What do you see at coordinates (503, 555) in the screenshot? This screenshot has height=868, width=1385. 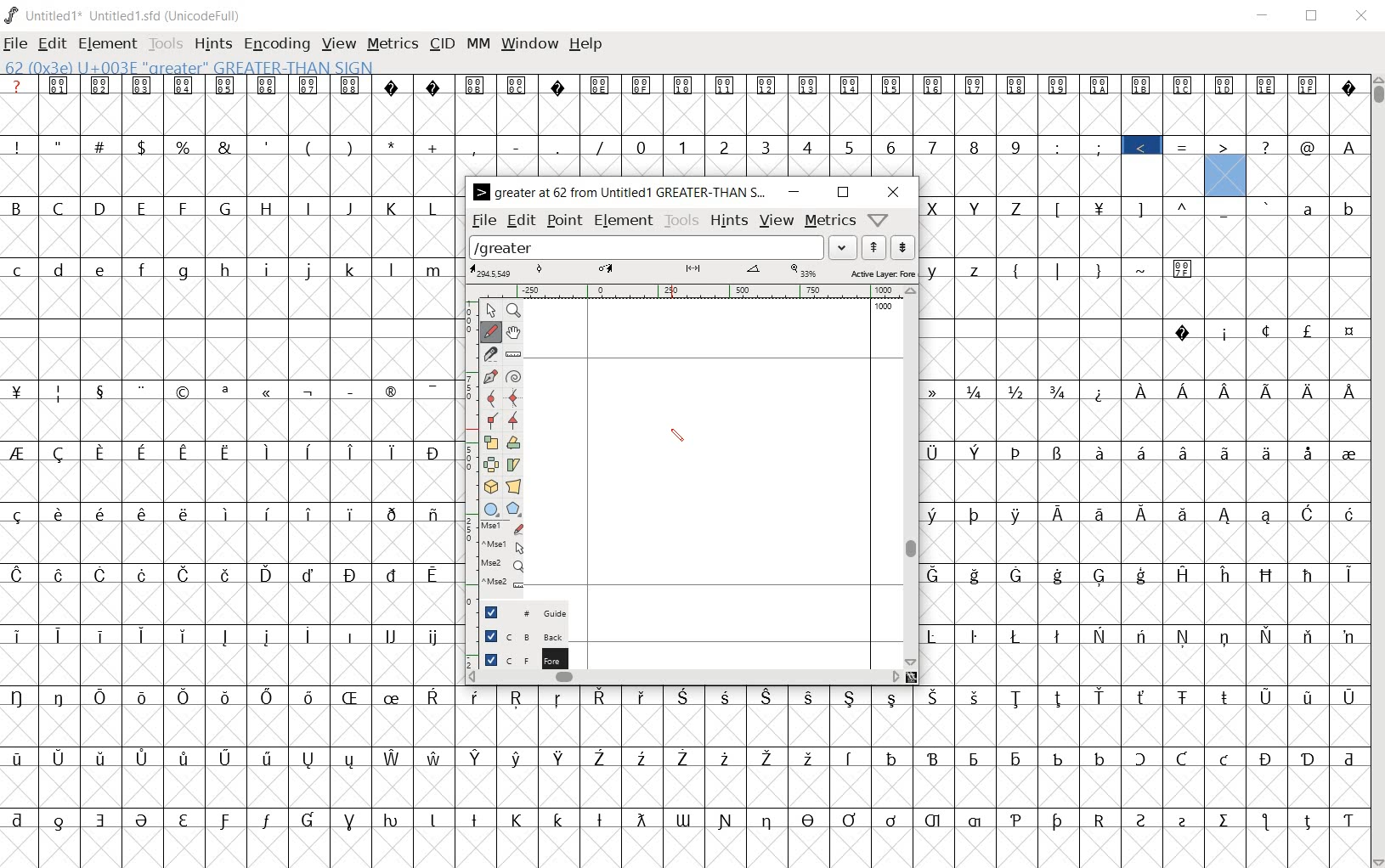 I see `mse1 mse1 mse2 mse2` at bounding box center [503, 555].